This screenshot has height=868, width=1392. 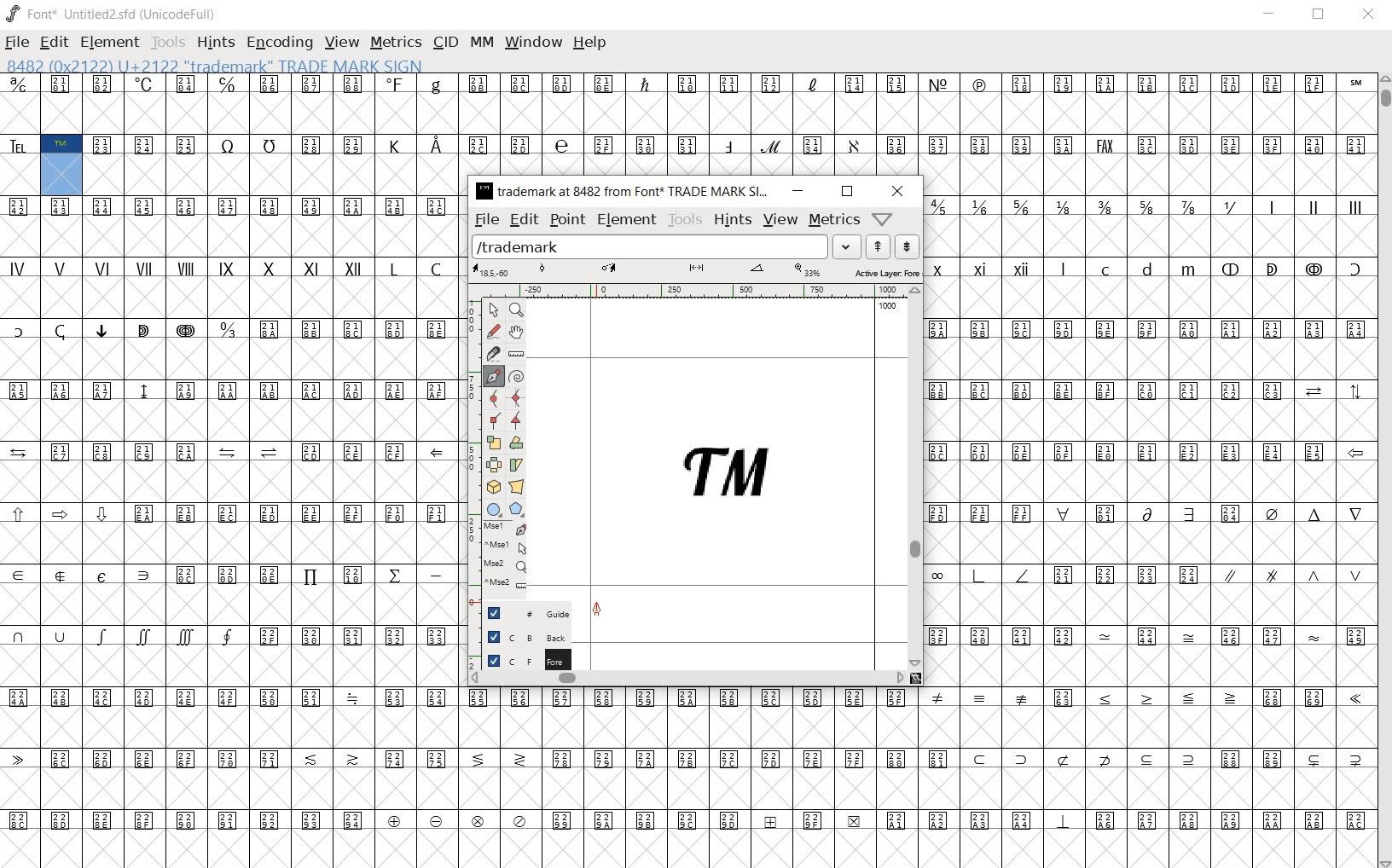 What do you see at coordinates (17, 43) in the screenshot?
I see `FILE` at bounding box center [17, 43].